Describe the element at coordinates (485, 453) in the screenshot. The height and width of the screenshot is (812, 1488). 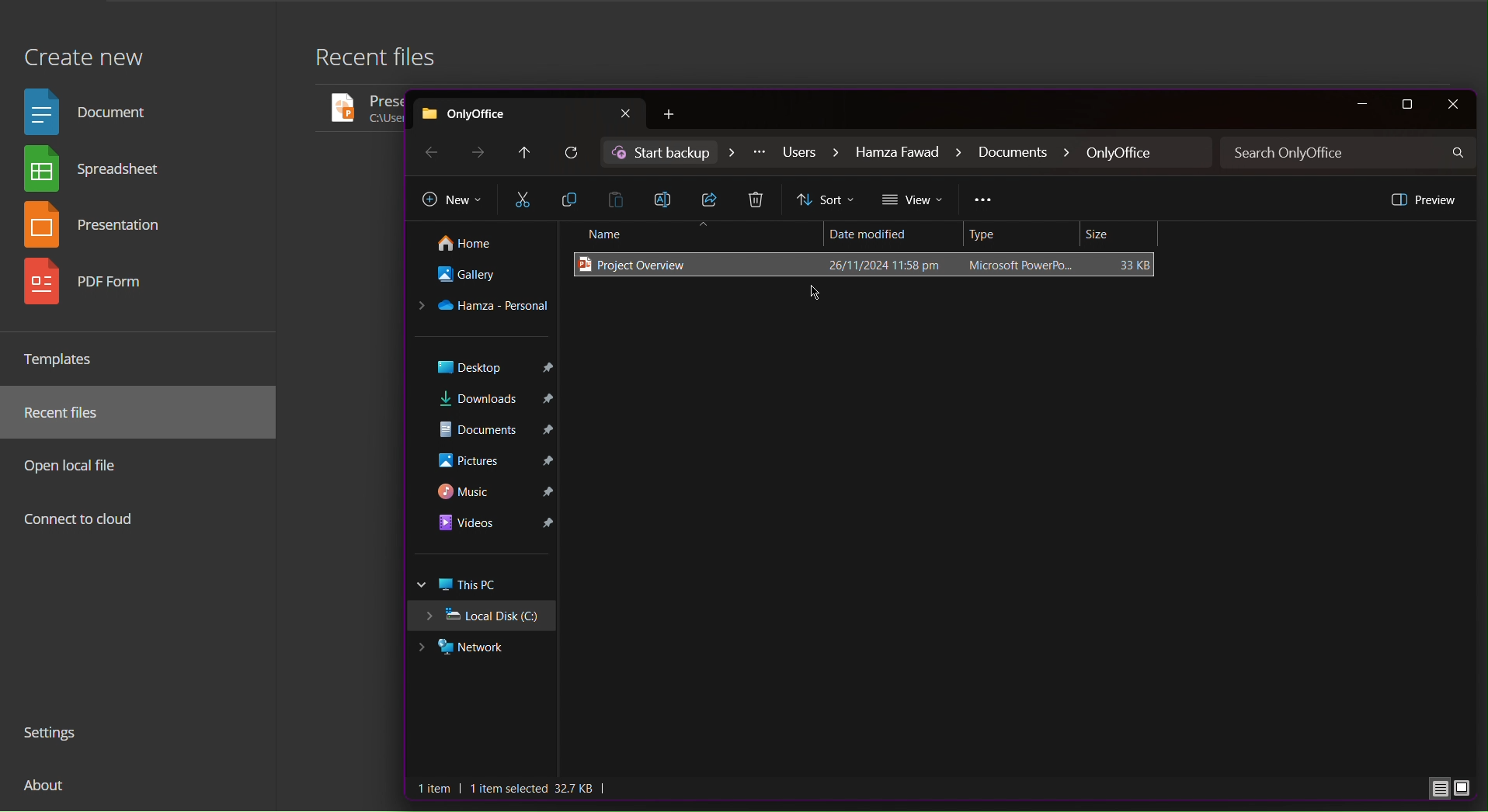
I see `Folders` at that location.